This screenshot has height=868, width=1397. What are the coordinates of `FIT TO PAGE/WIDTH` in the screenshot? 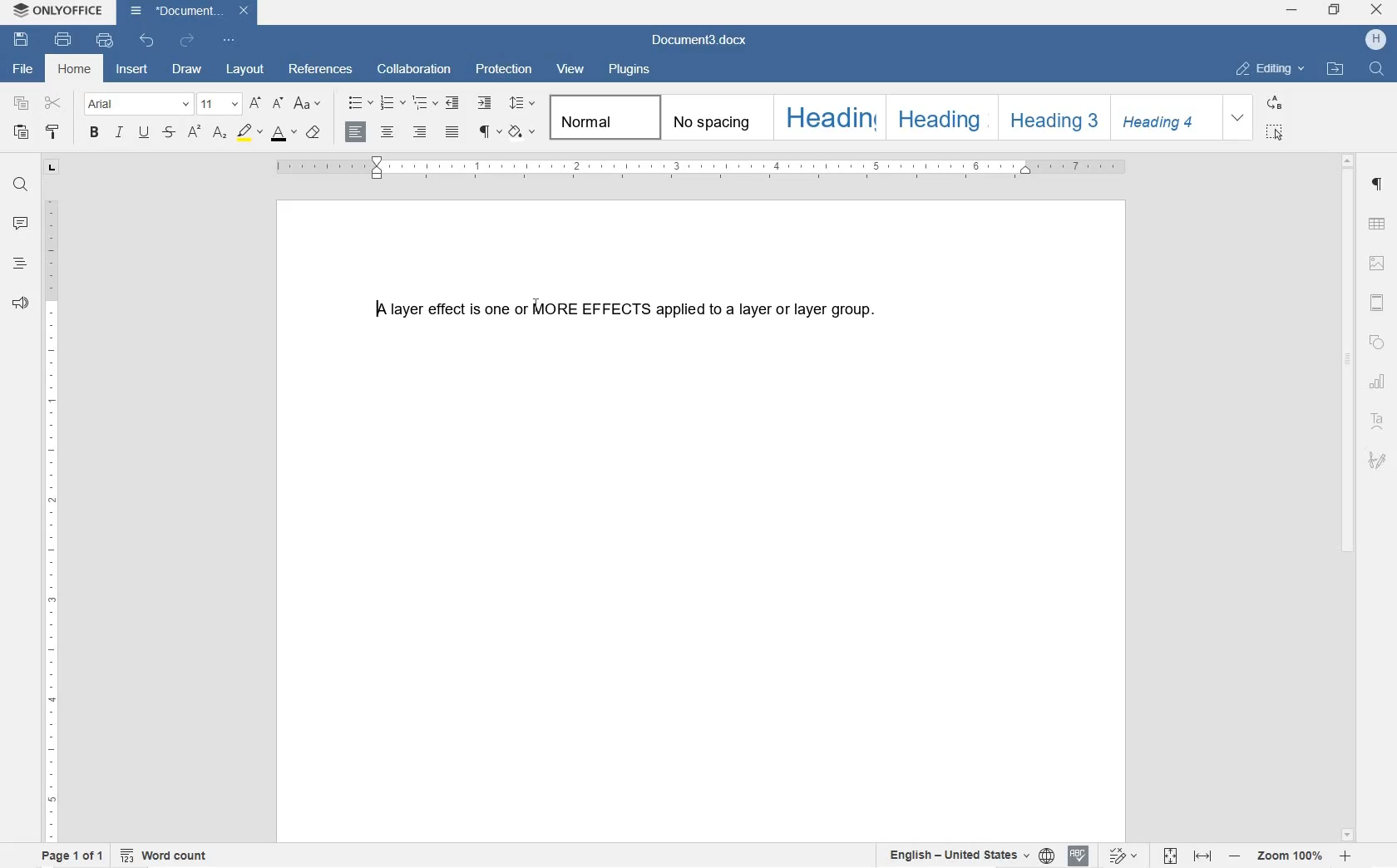 It's located at (1191, 857).